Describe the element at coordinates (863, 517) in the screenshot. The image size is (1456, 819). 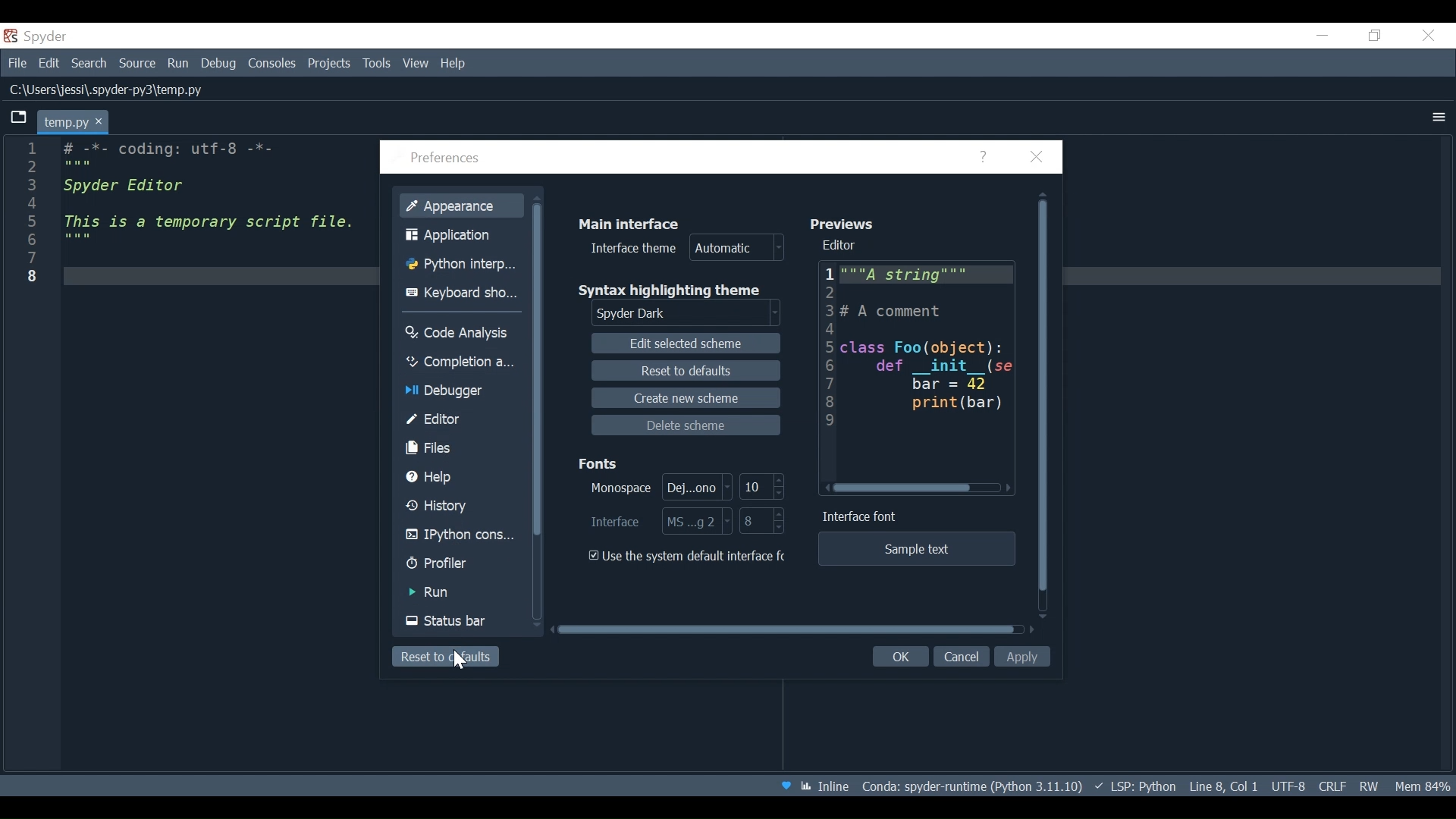
I see `Interface Font` at that location.